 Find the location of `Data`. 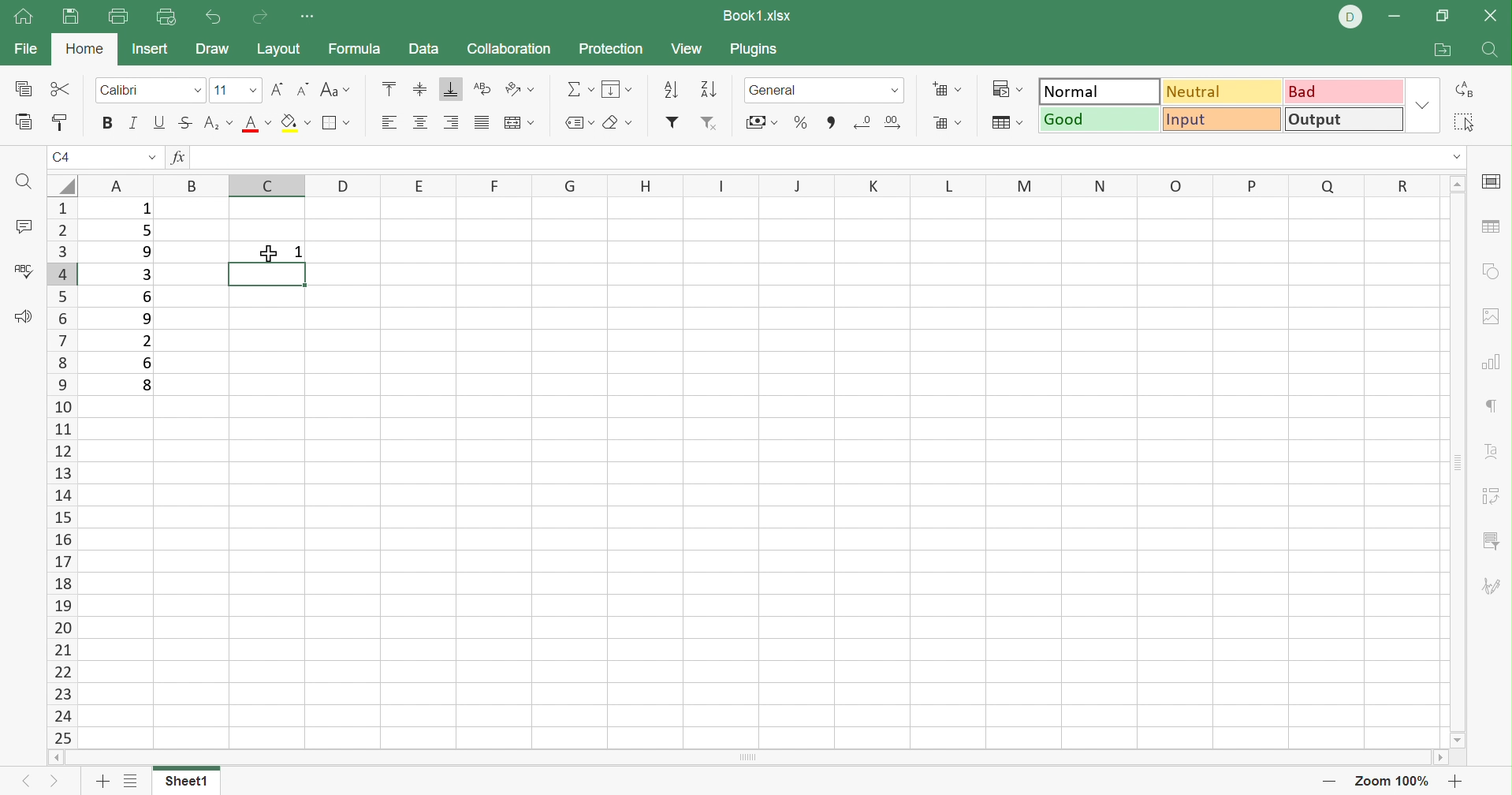

Data is located at coordinates (424, 50).